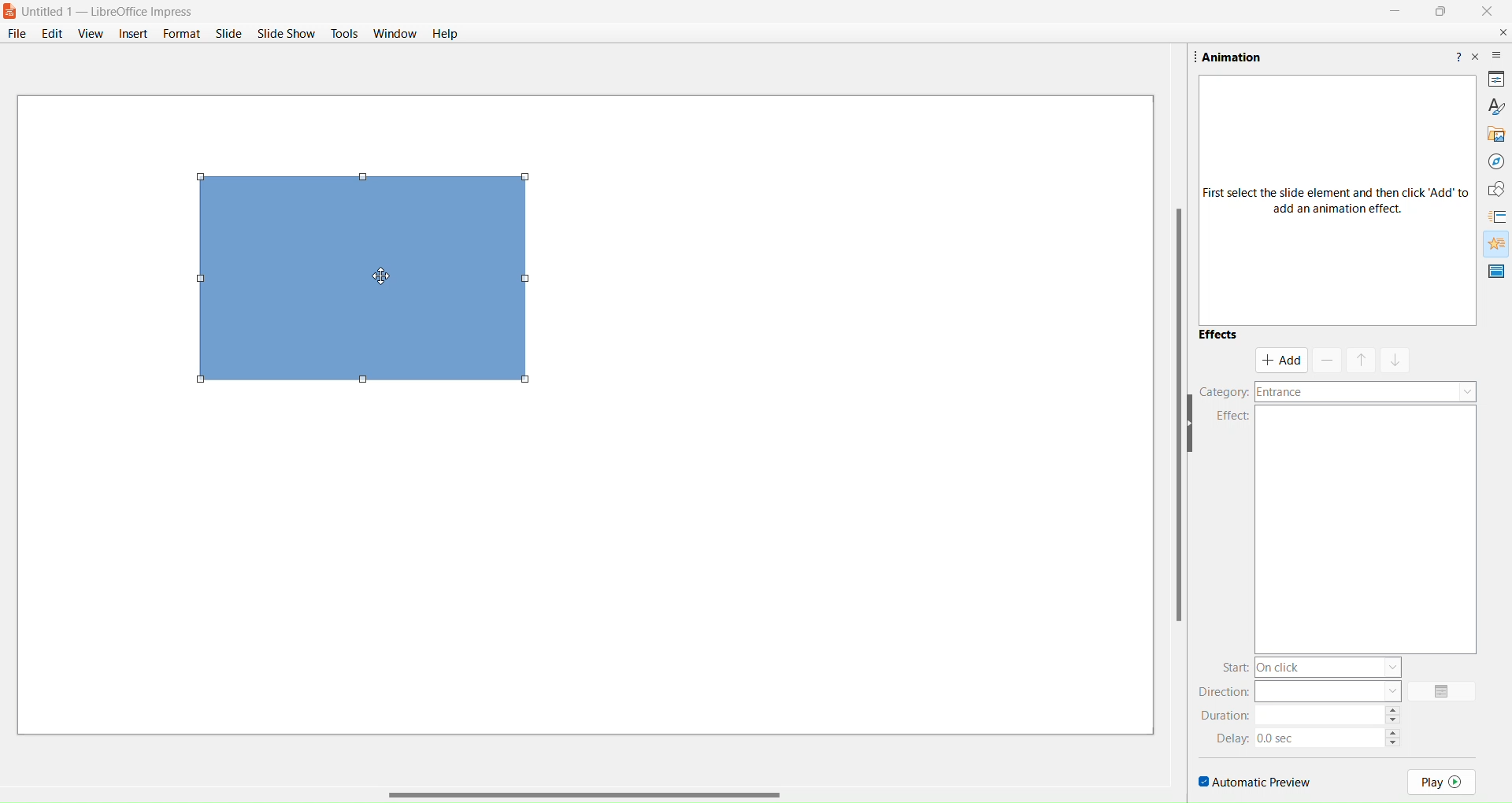 This screenshot has width=1512, height=803. I want to click on scroll bar, so click(1167, 419).